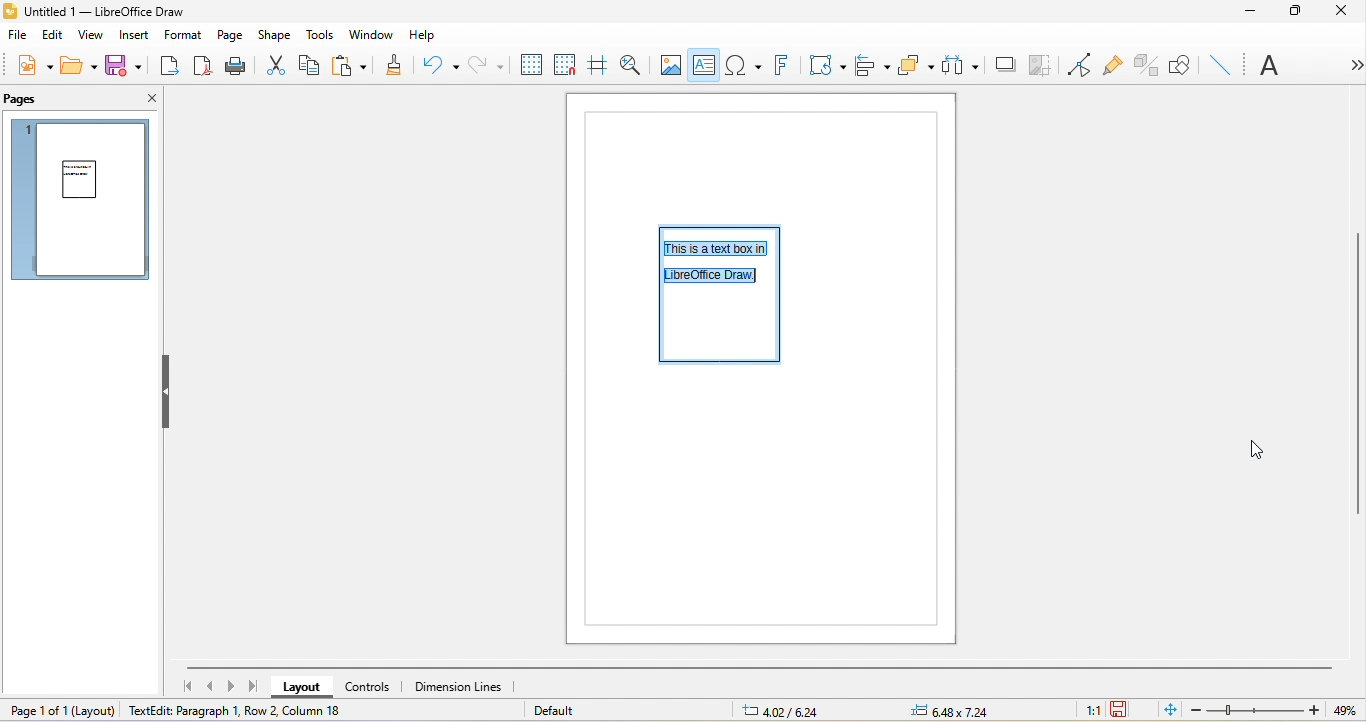  I want to click on zoom and pan, so click(629, 64).